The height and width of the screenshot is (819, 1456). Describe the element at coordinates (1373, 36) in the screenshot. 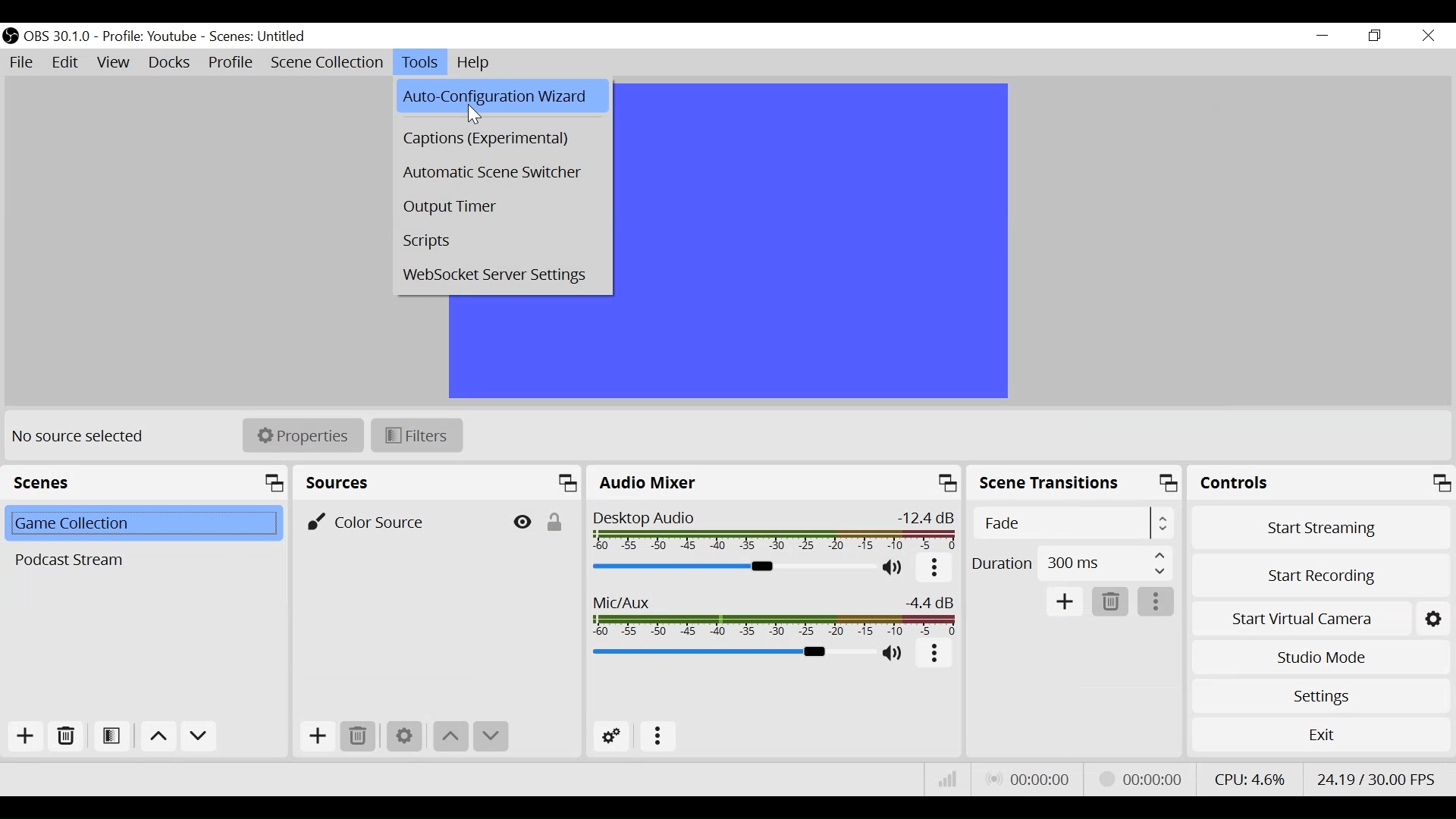

I see `Restore` at that location.